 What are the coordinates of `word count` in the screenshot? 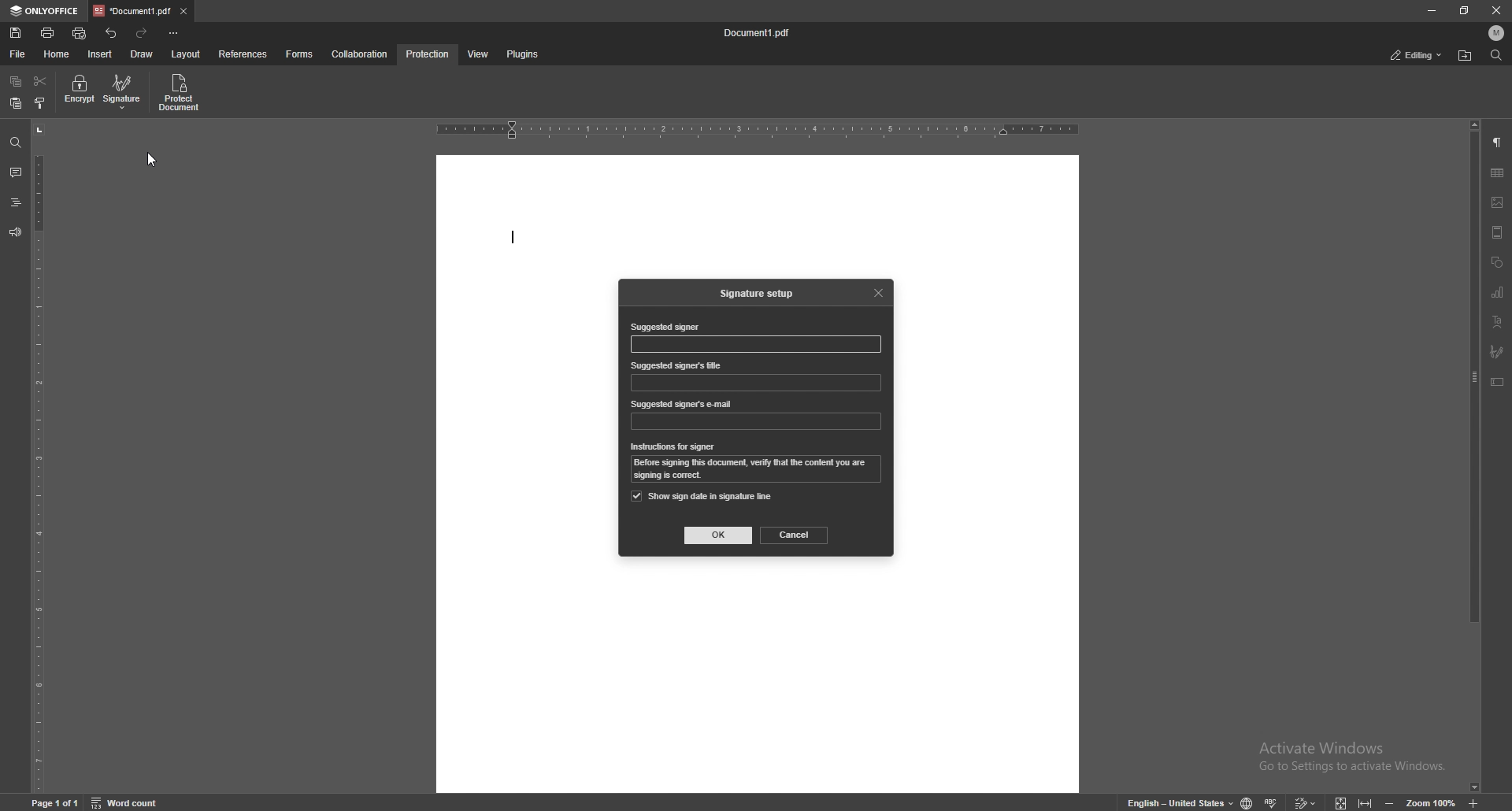 It's located at (135, 802).